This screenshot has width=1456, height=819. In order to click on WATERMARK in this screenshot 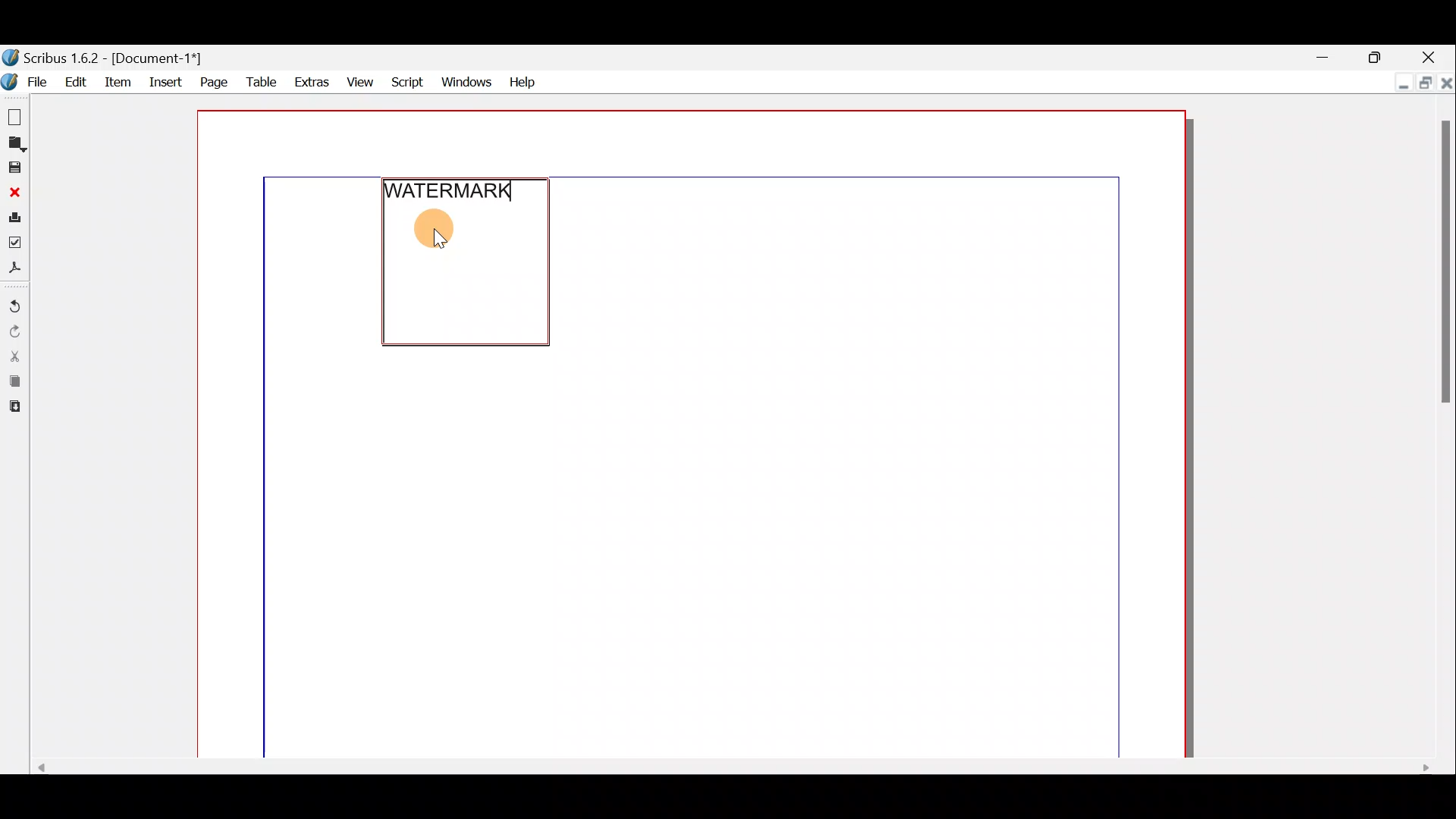, I will do `click(453, 190)`.